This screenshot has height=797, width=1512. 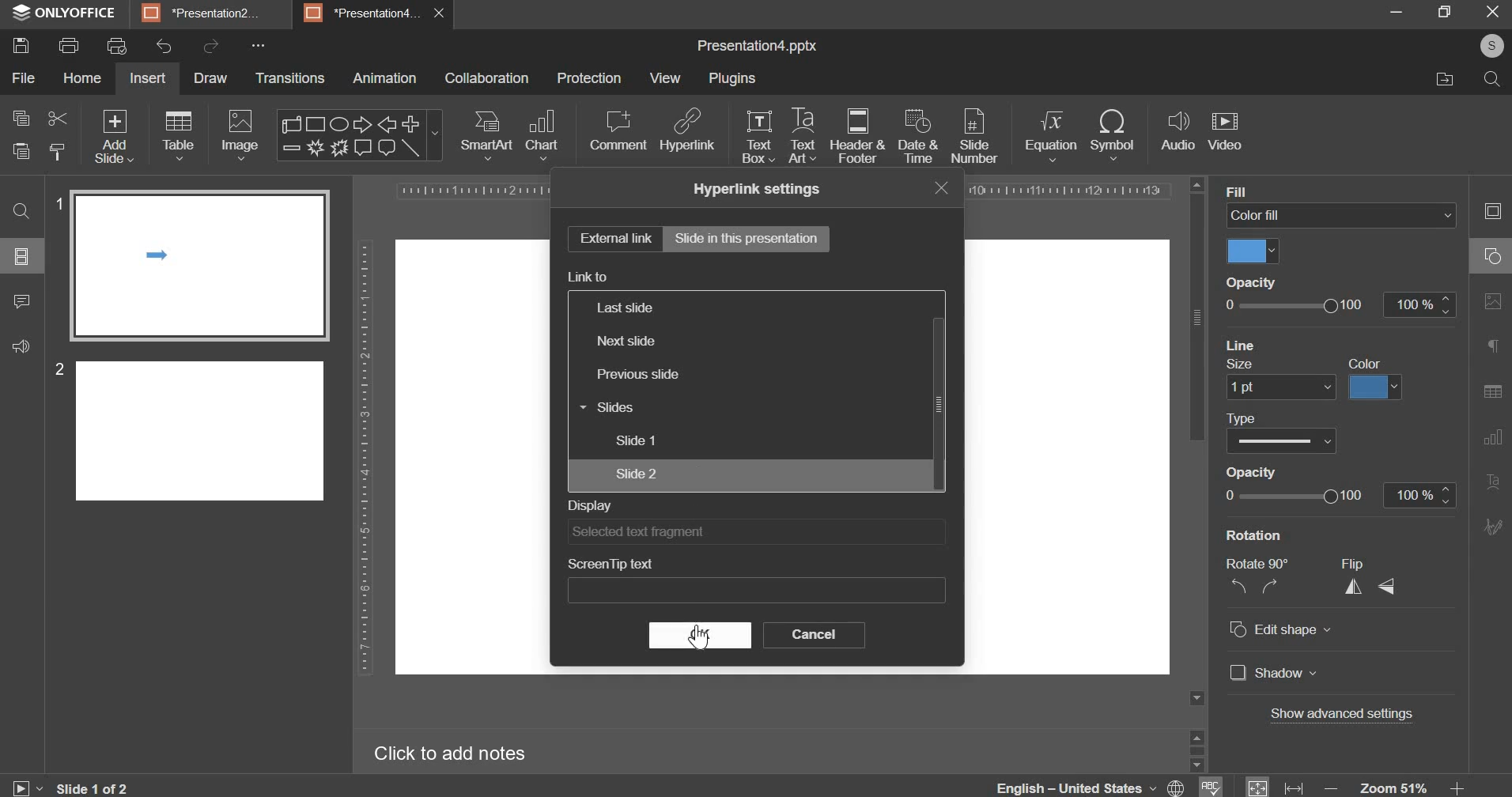 I want to click on , so click(x=1262, y=416).